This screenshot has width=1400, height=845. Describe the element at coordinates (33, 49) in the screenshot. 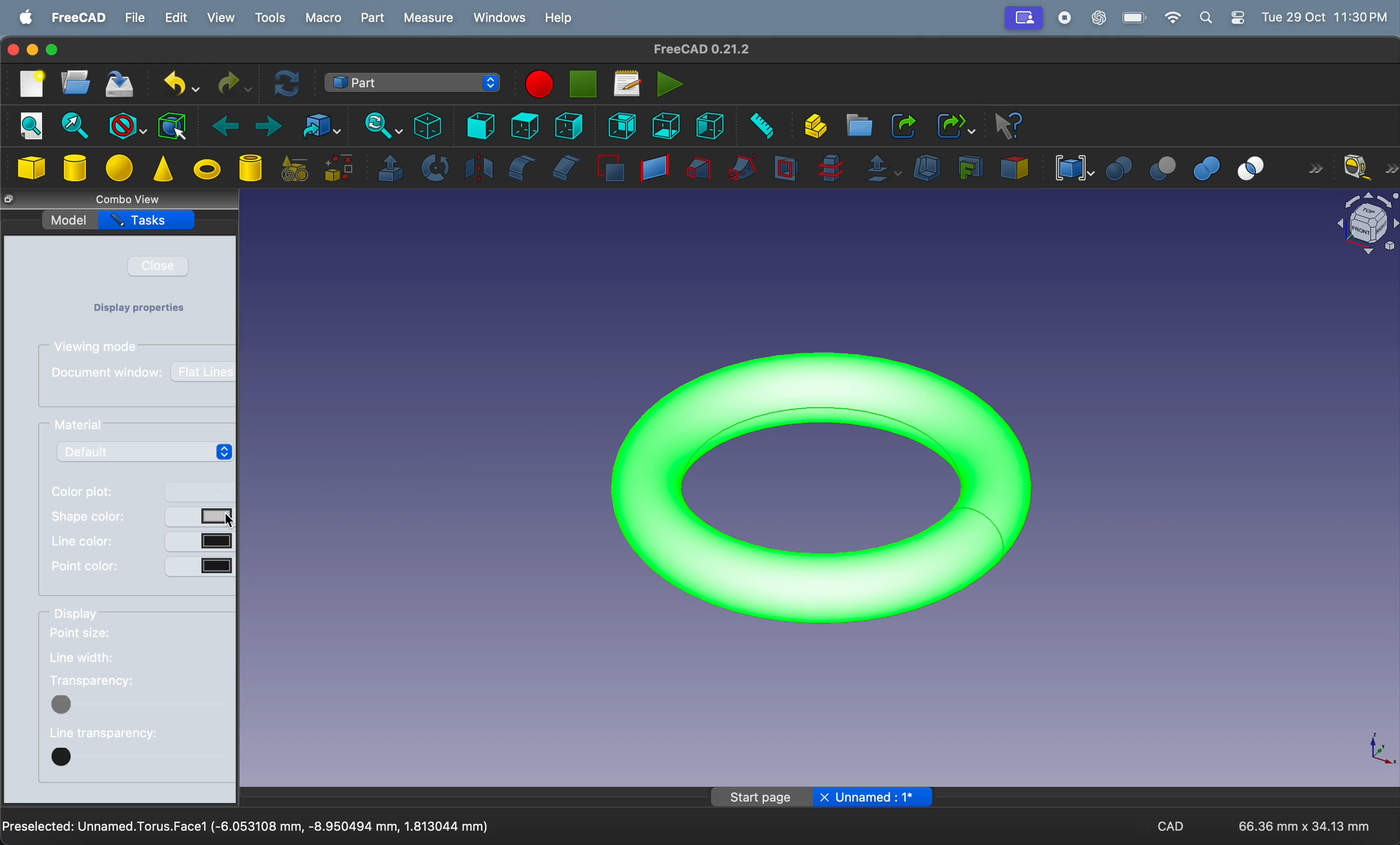

I see `minimize` at that location.